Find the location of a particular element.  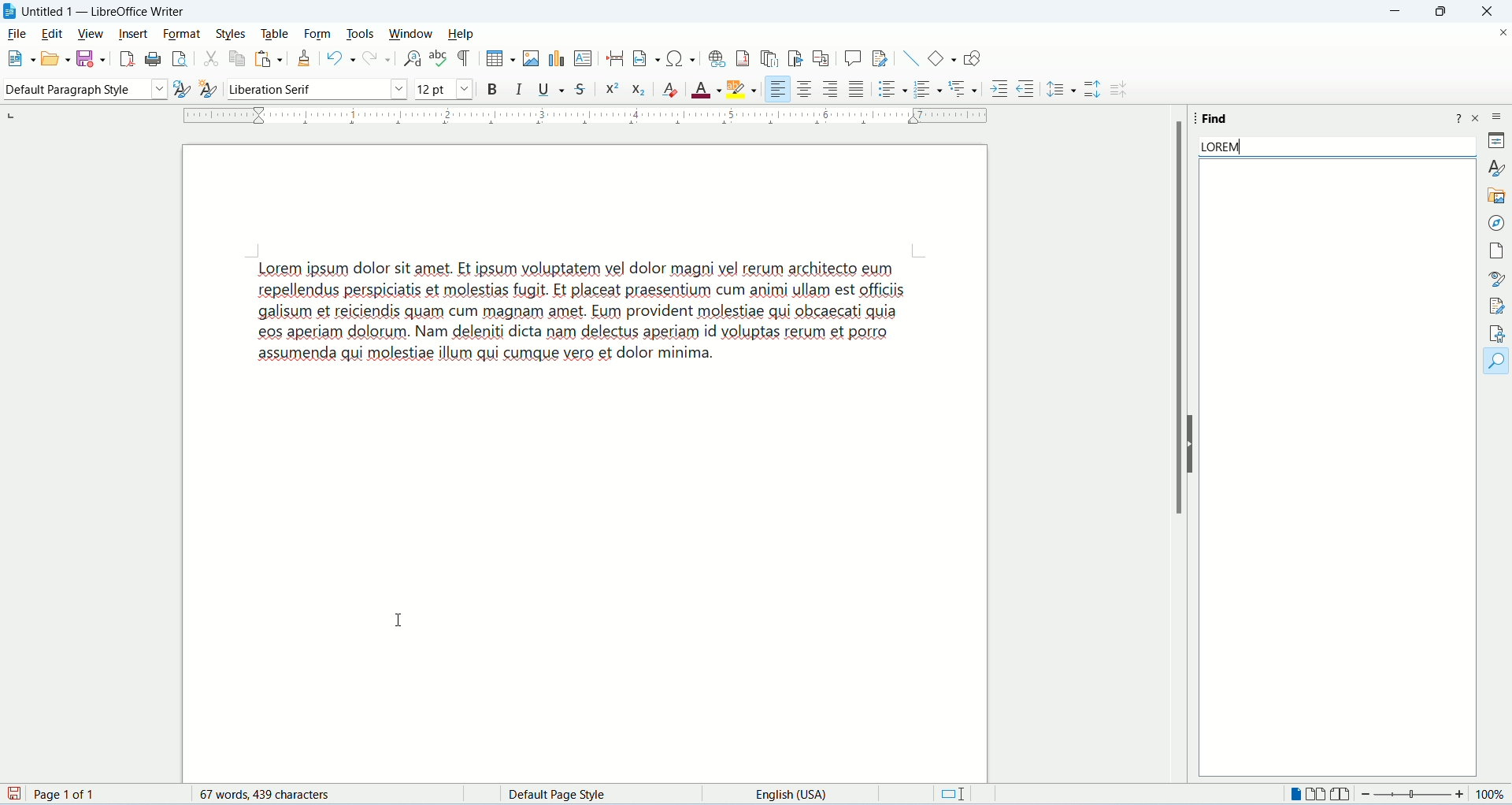

unordered list is located at coordinates (884, 88).